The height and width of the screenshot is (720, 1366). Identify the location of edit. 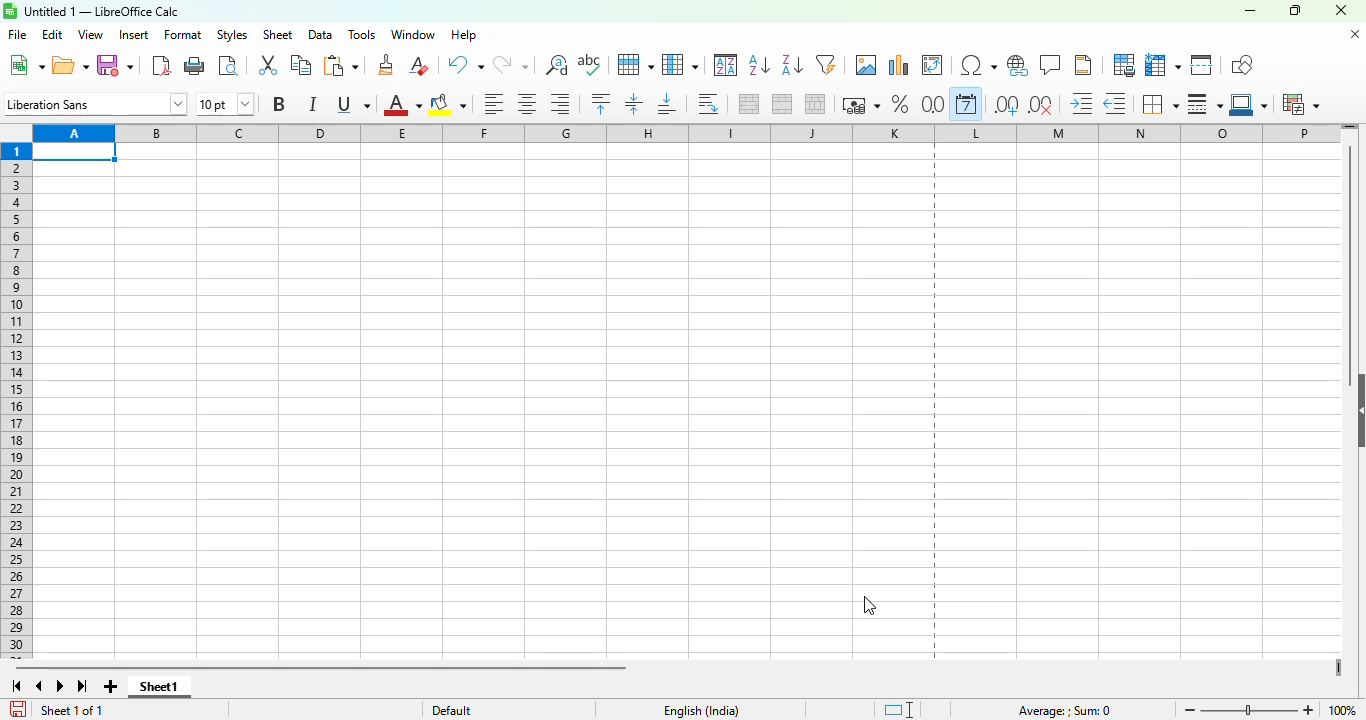
(52, 35).